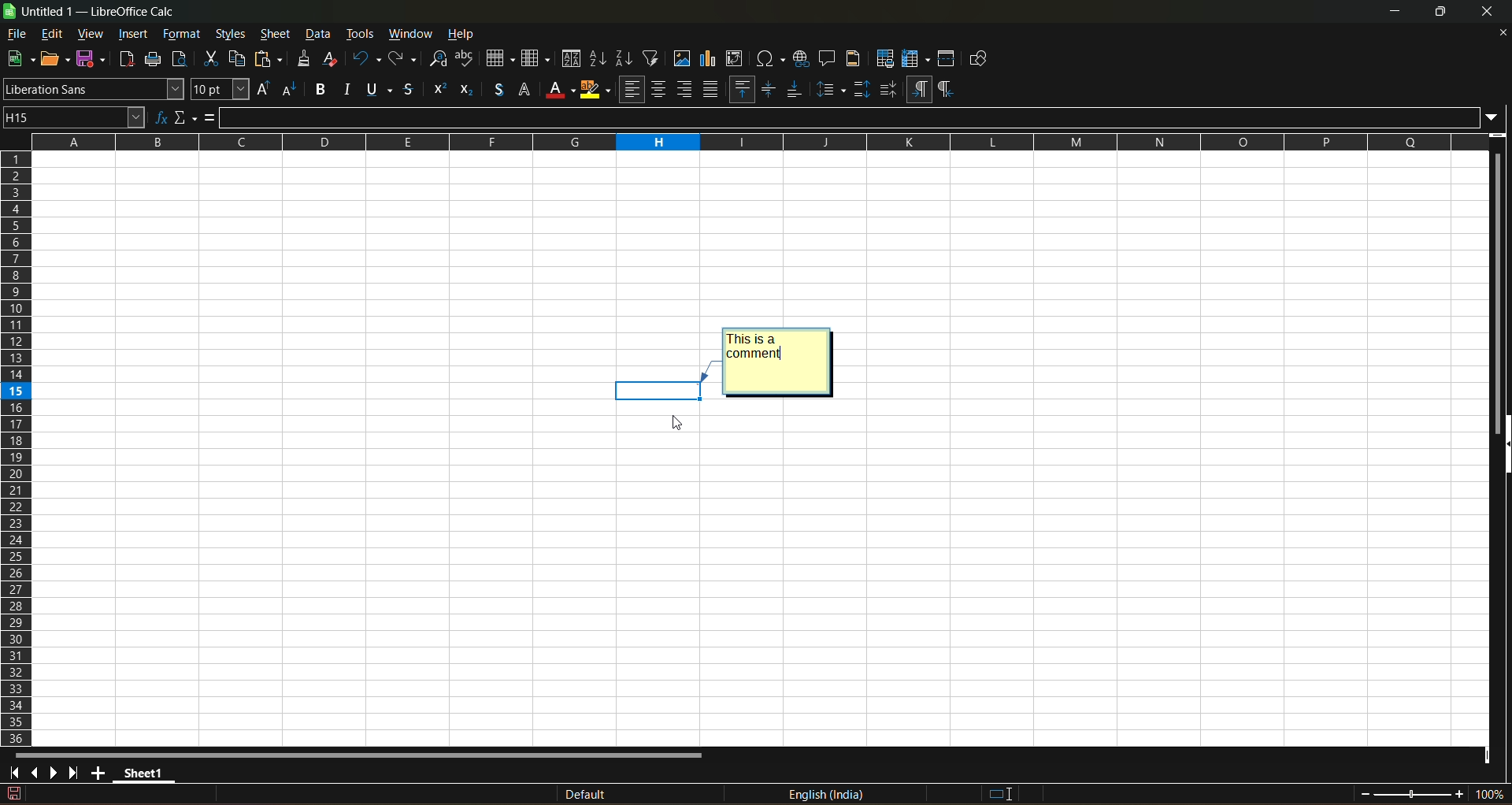 This screenshot has width=1512, height=805. I want to click on  cell, so click(657, 391).